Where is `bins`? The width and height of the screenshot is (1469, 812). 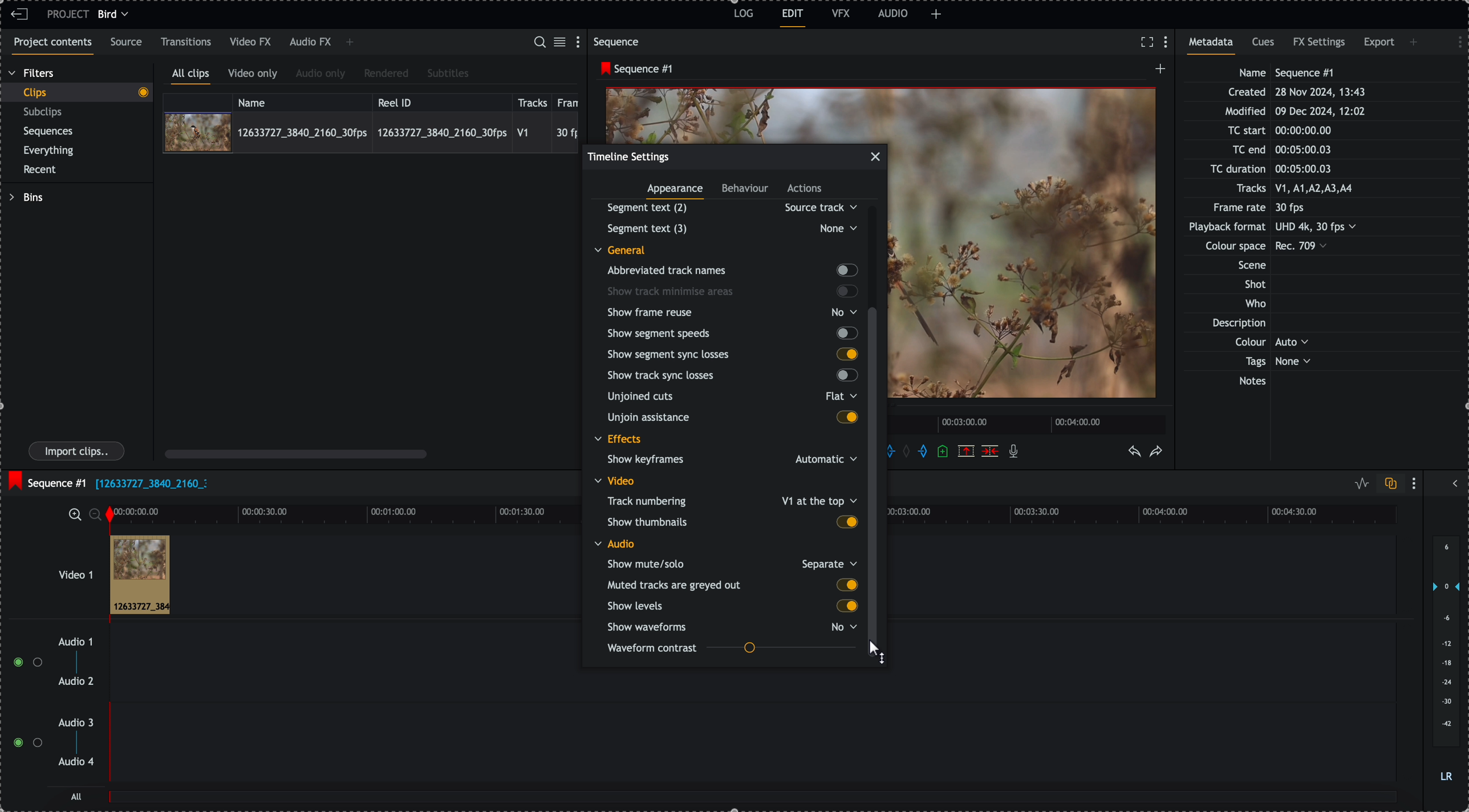 bins is located at coordinates (26, 197).